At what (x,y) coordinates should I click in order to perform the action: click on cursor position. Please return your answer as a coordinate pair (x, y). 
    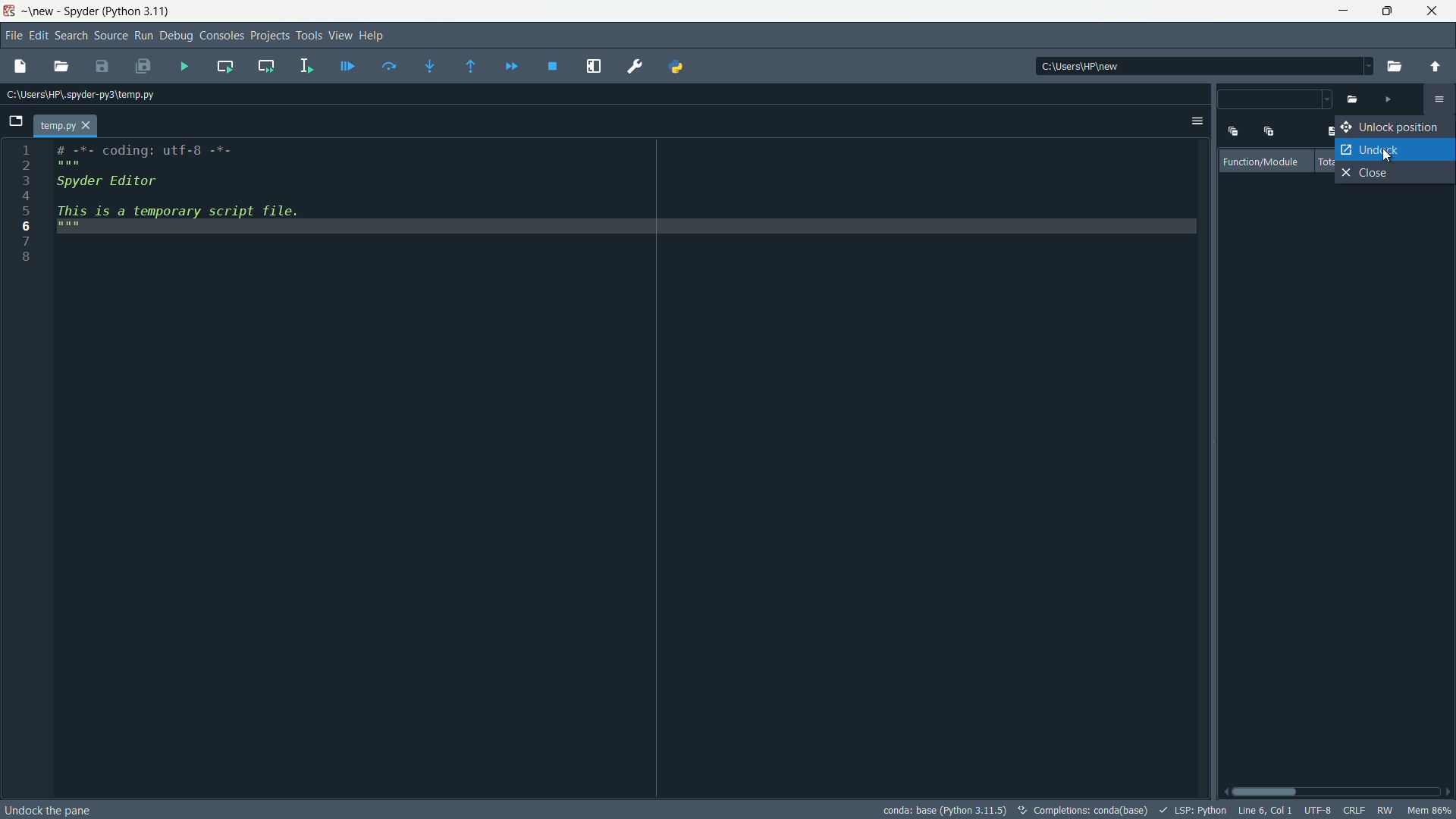
    Looking at the image, I should click on (1263, 811).